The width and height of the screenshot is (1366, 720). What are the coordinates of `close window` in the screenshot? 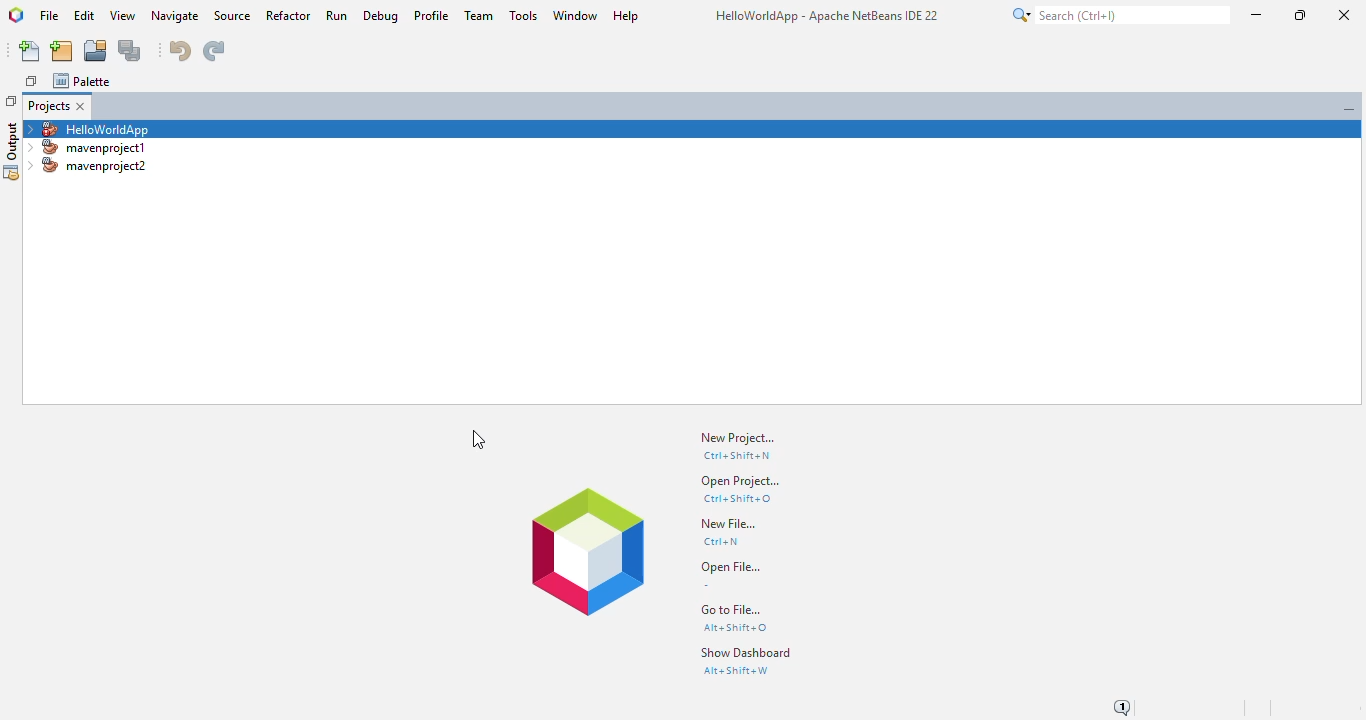 It's located at (82, 106).